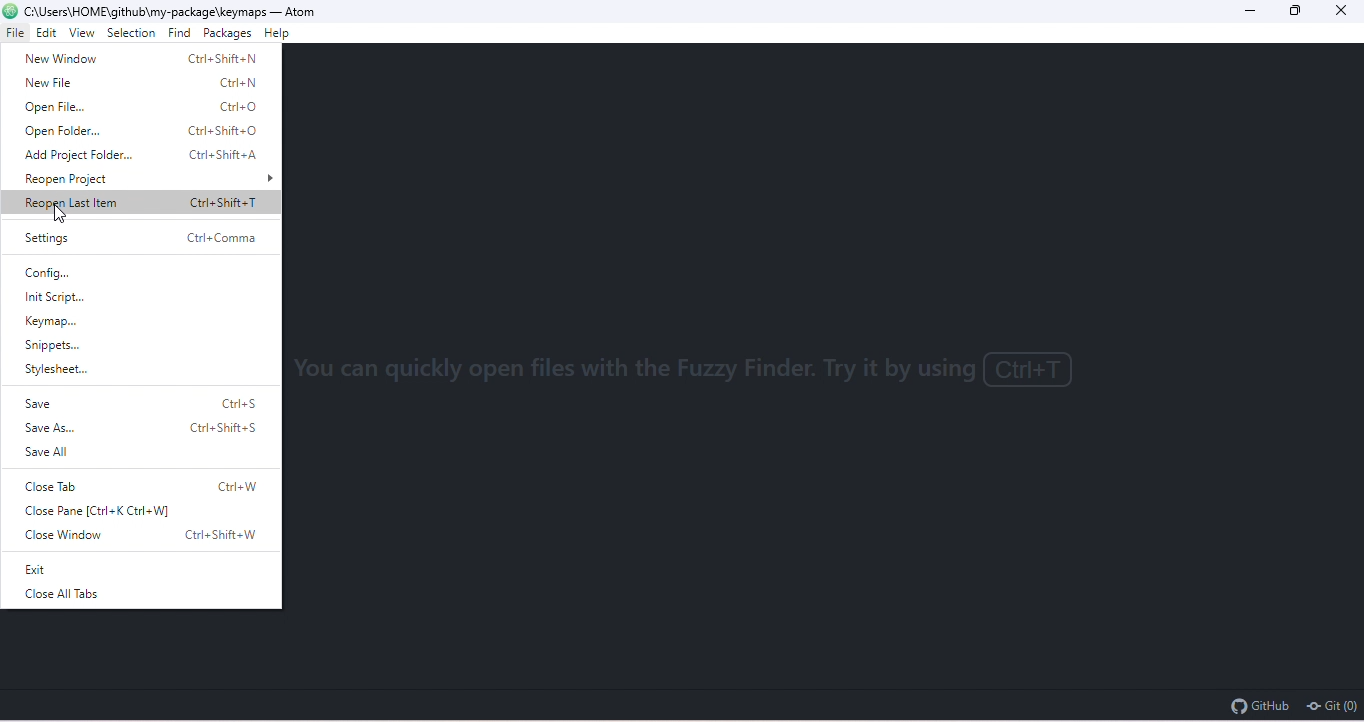  Describe the element at coordinates (133, 31) in the screenshot. I see `selection` at that location.